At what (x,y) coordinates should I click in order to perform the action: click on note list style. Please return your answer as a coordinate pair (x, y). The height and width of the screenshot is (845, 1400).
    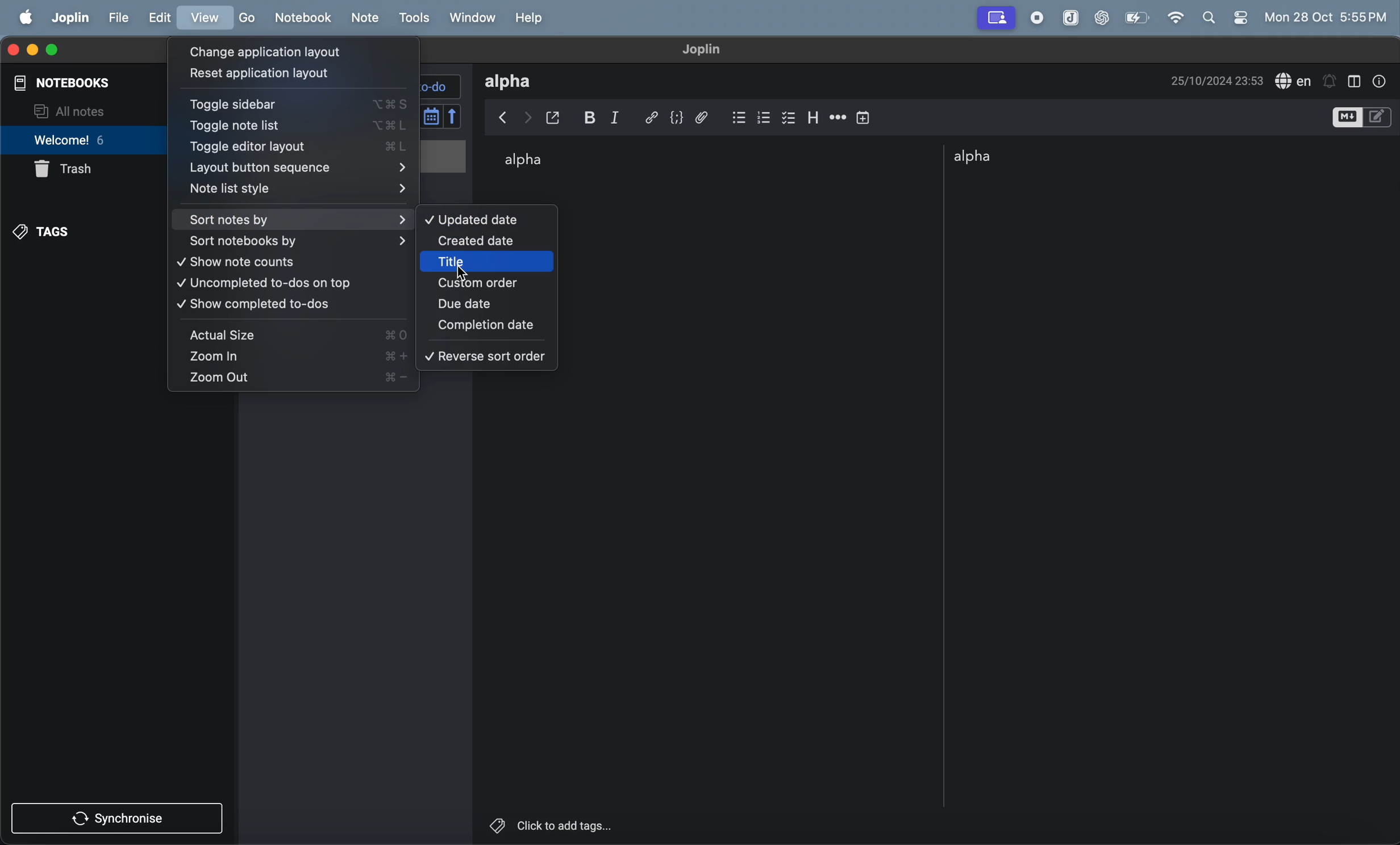
    Looking at the image, I should click on (298, 191).